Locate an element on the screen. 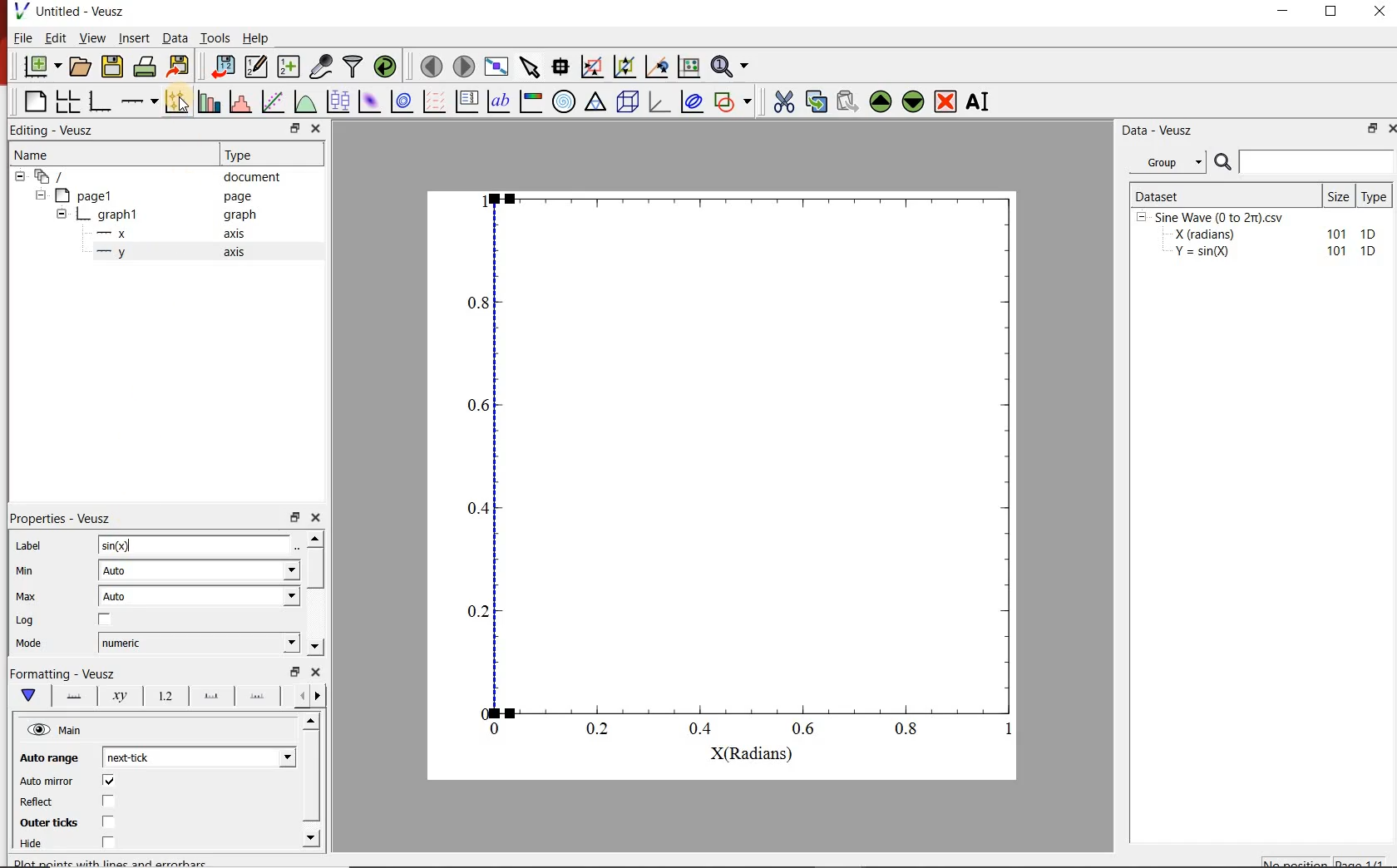 The height and width of the screenshot is (868, 1397). Ternary Graph is located at coordinates (596, 101).